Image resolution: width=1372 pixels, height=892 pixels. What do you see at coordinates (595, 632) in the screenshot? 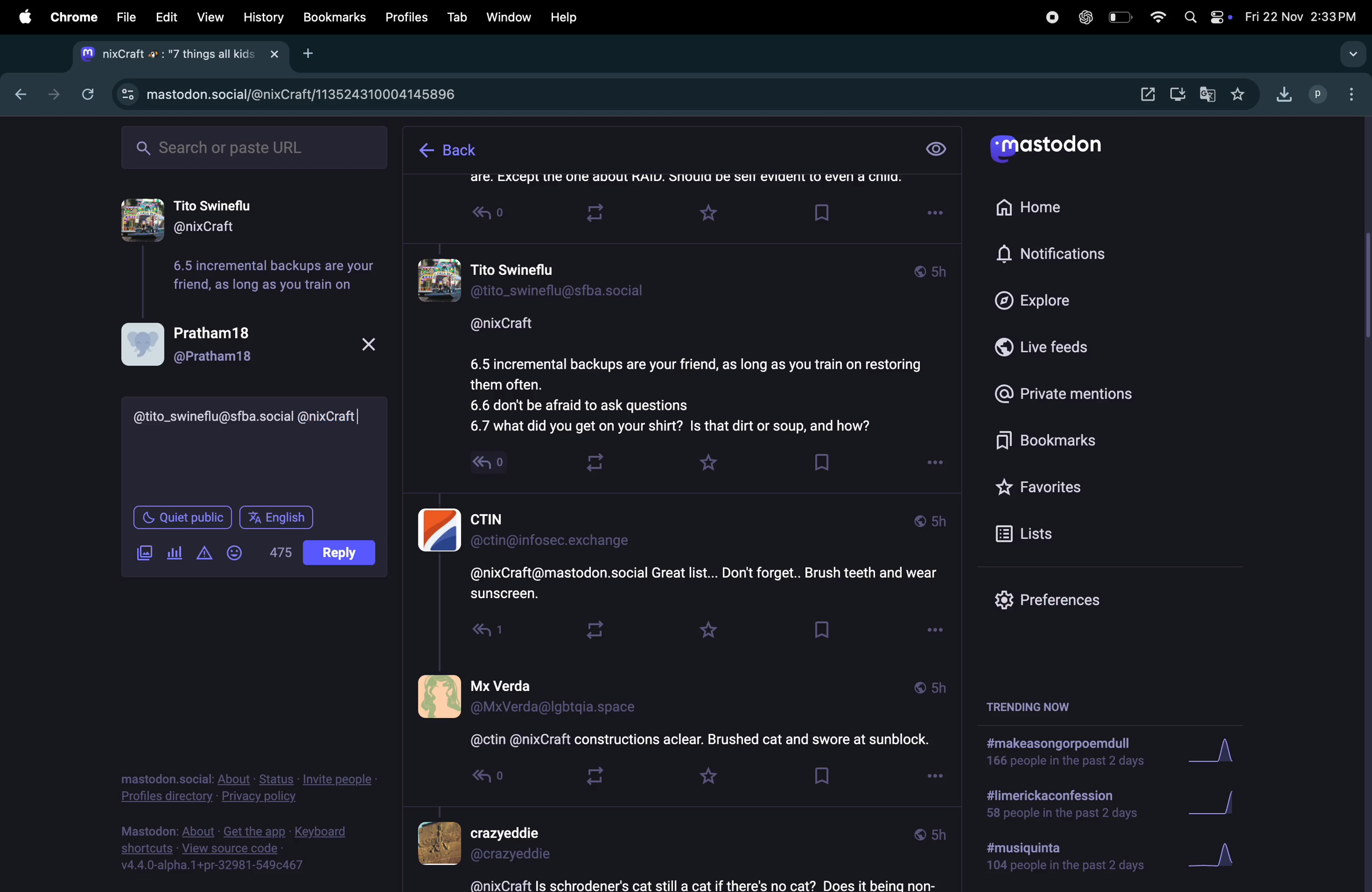
I see `loop` at bounding box center [595, 632].